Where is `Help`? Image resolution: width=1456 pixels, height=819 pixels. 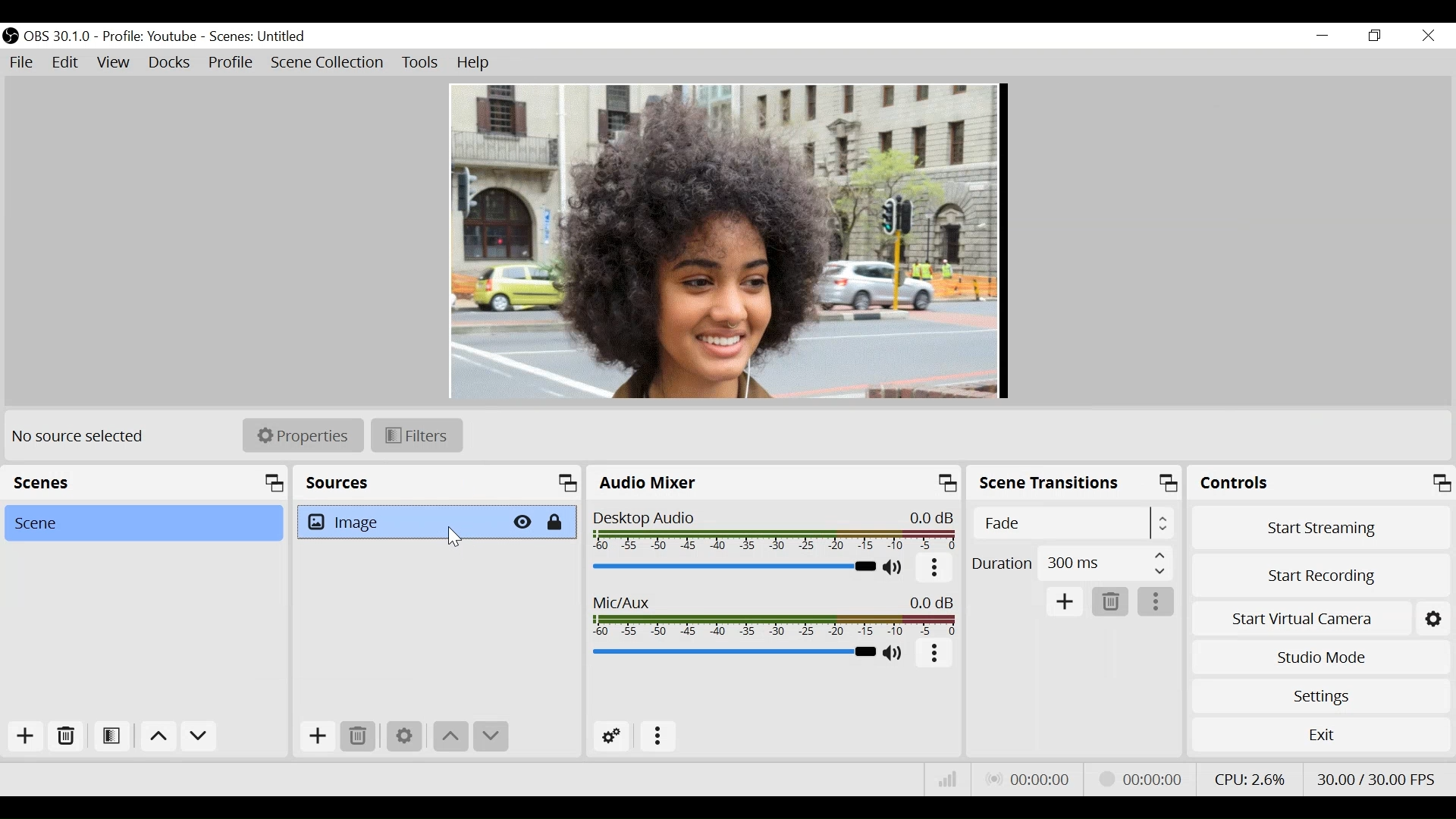 Help is located at coordinates (474, 63).